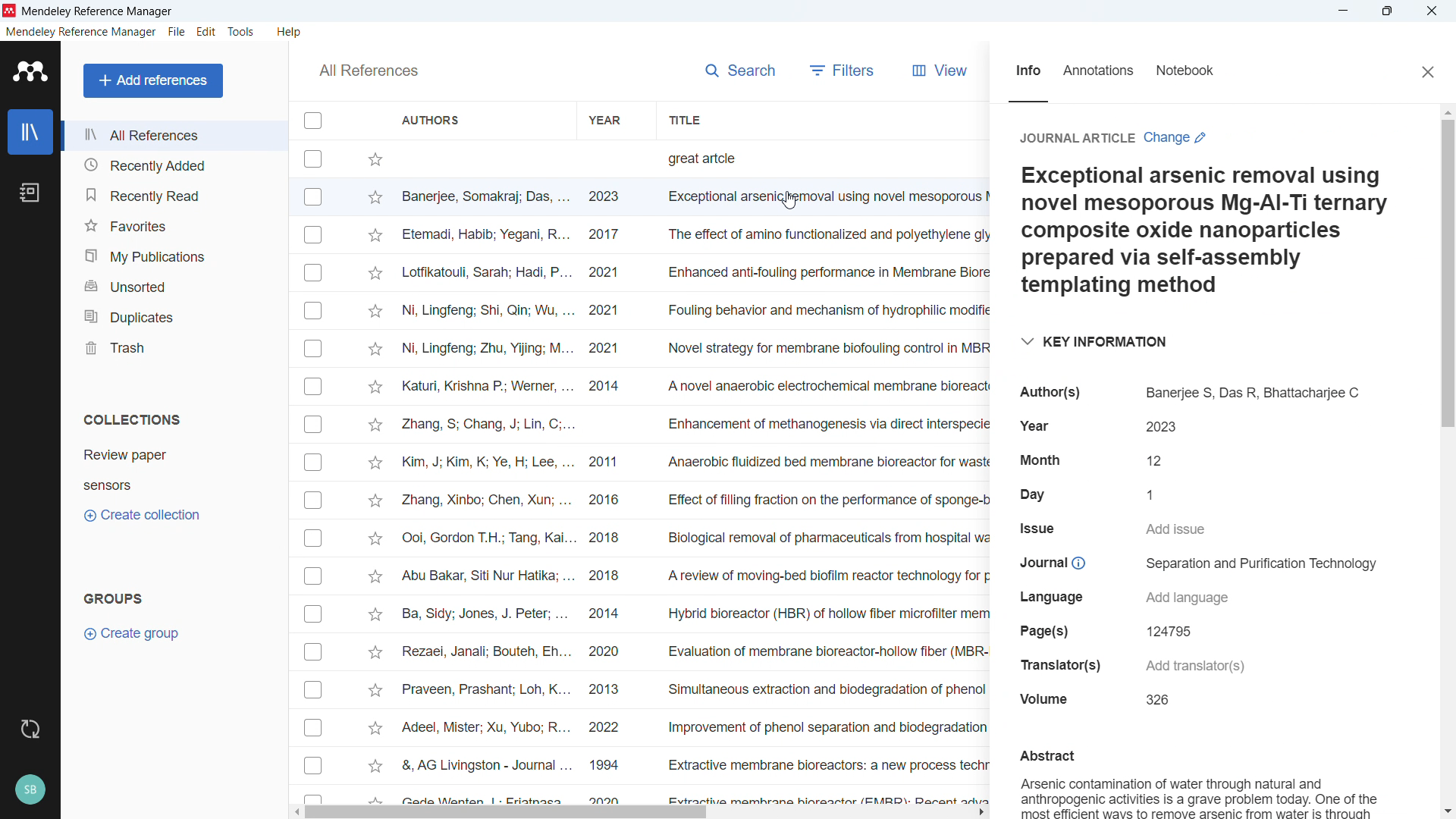 The height and width of the screenshot is (819, 1456). I want to click on minimise , so click(1345, 11).